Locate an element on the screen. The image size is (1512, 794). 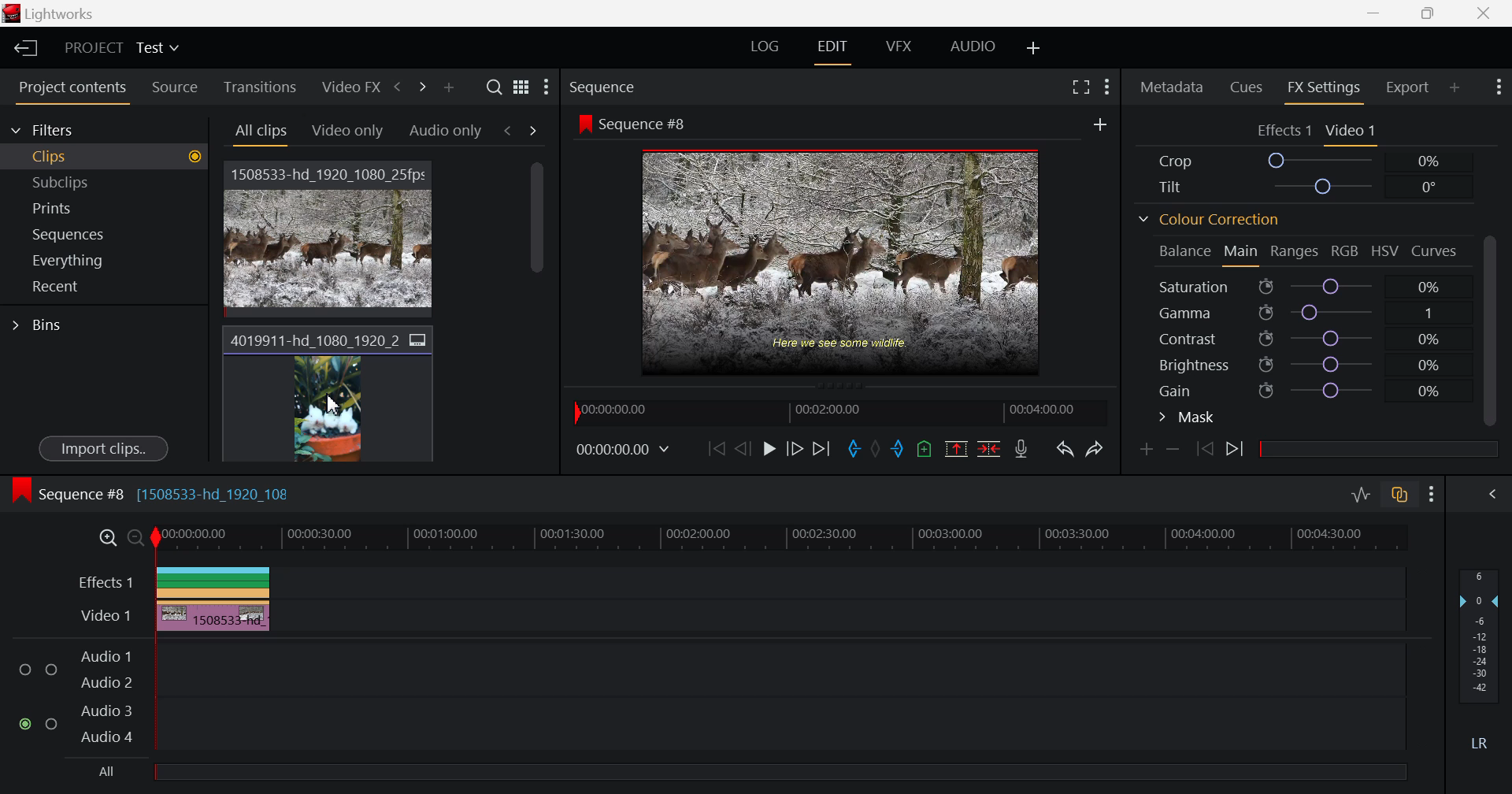
Play is located at coordinates (769, 451).